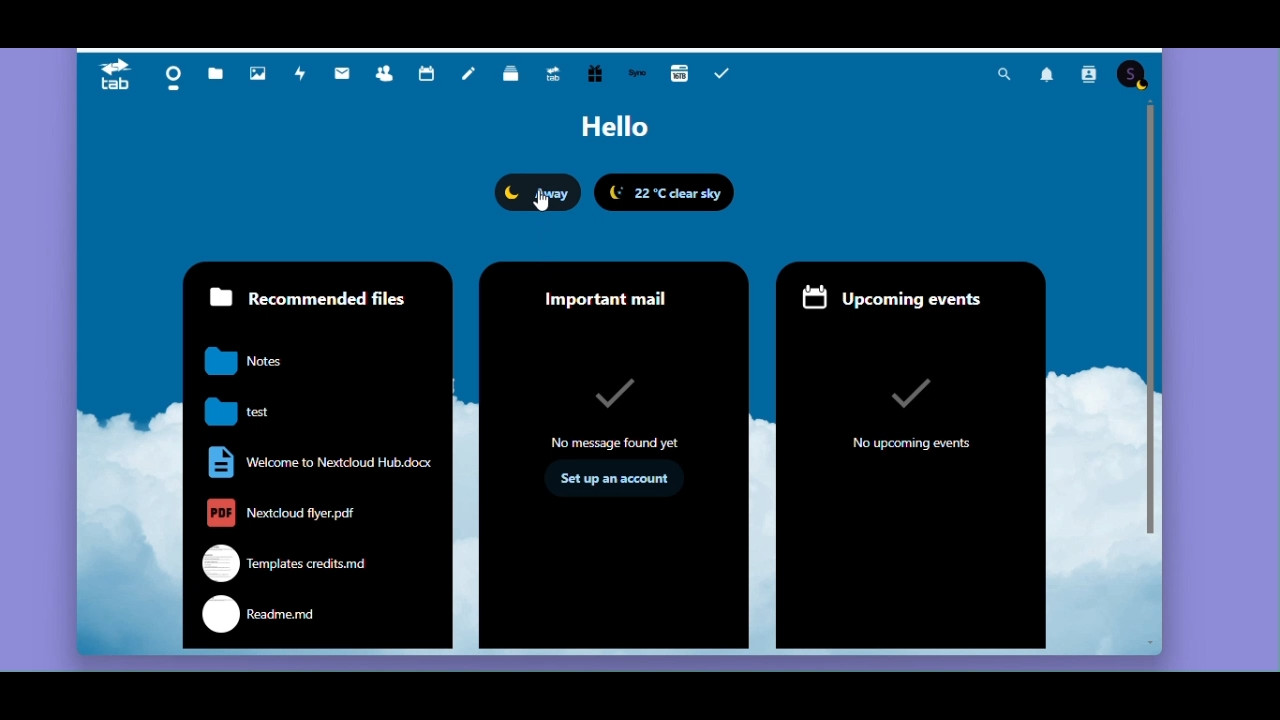  What do you see at coordinates (557, 75) in the screenshot?
I see `Upgrade` at bounding box center [557, 75].